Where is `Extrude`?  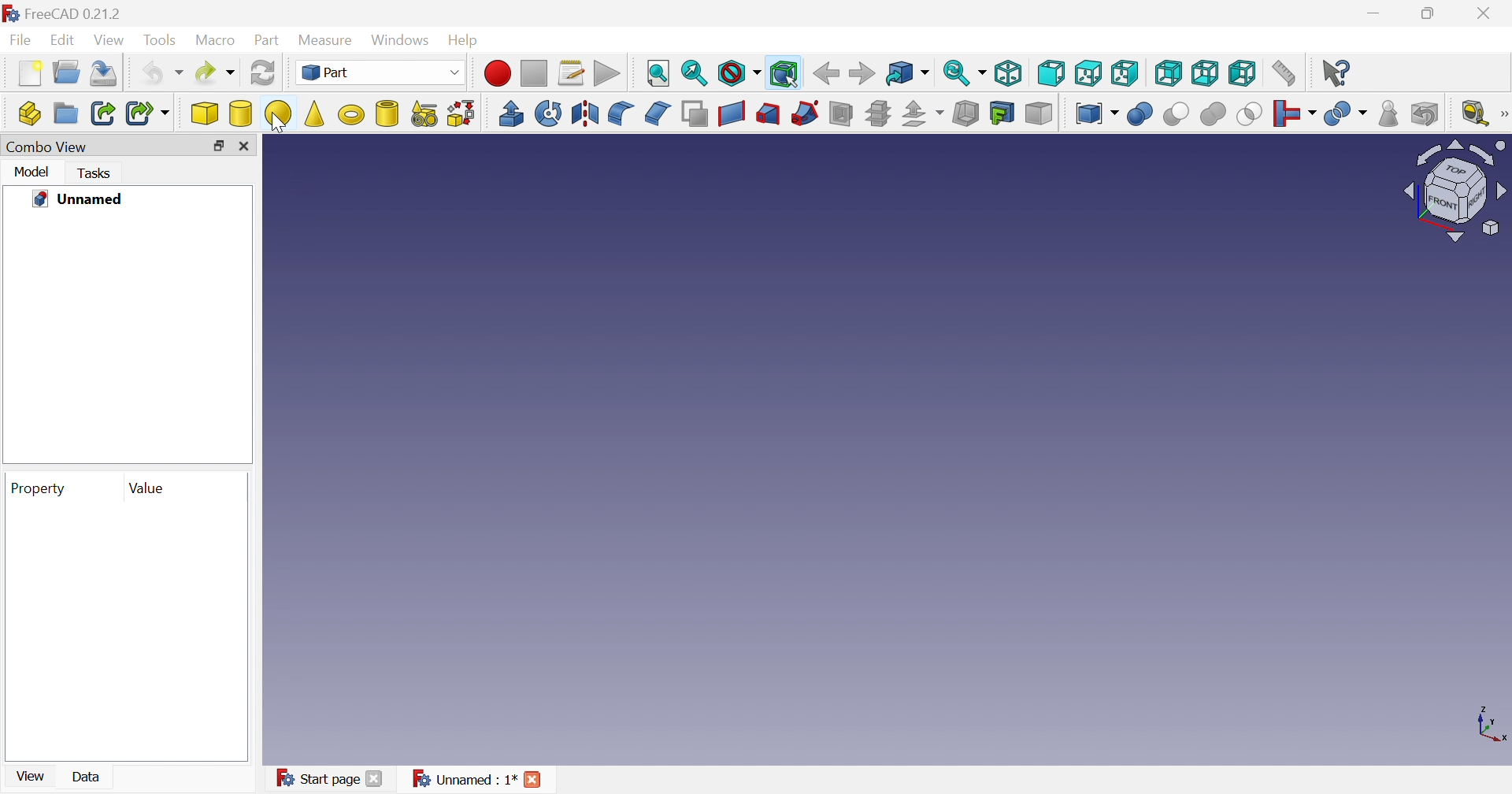 Extrude is located at coordinates (510, 113).